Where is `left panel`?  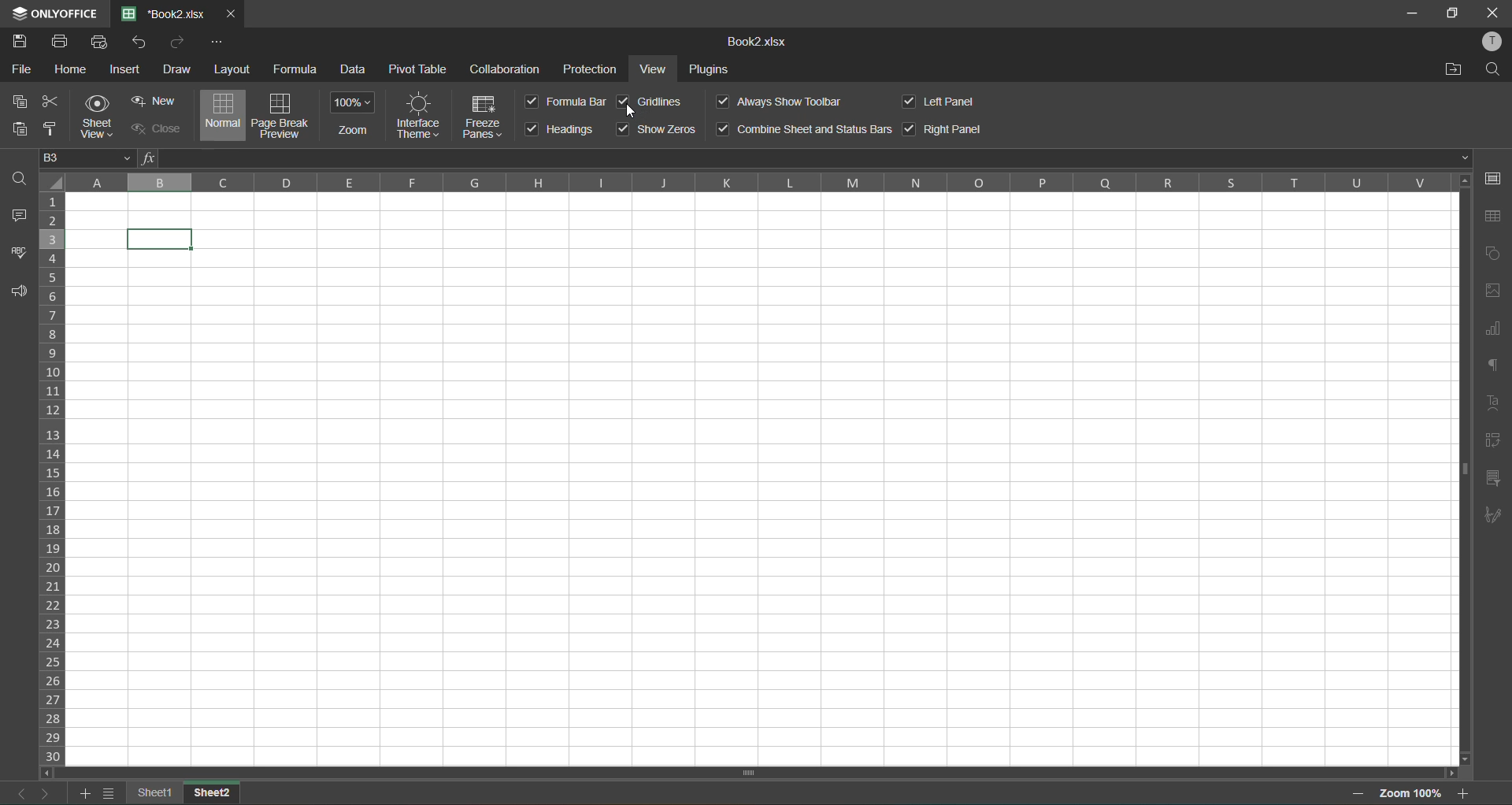 left panel is located at coordinates (947, 102).